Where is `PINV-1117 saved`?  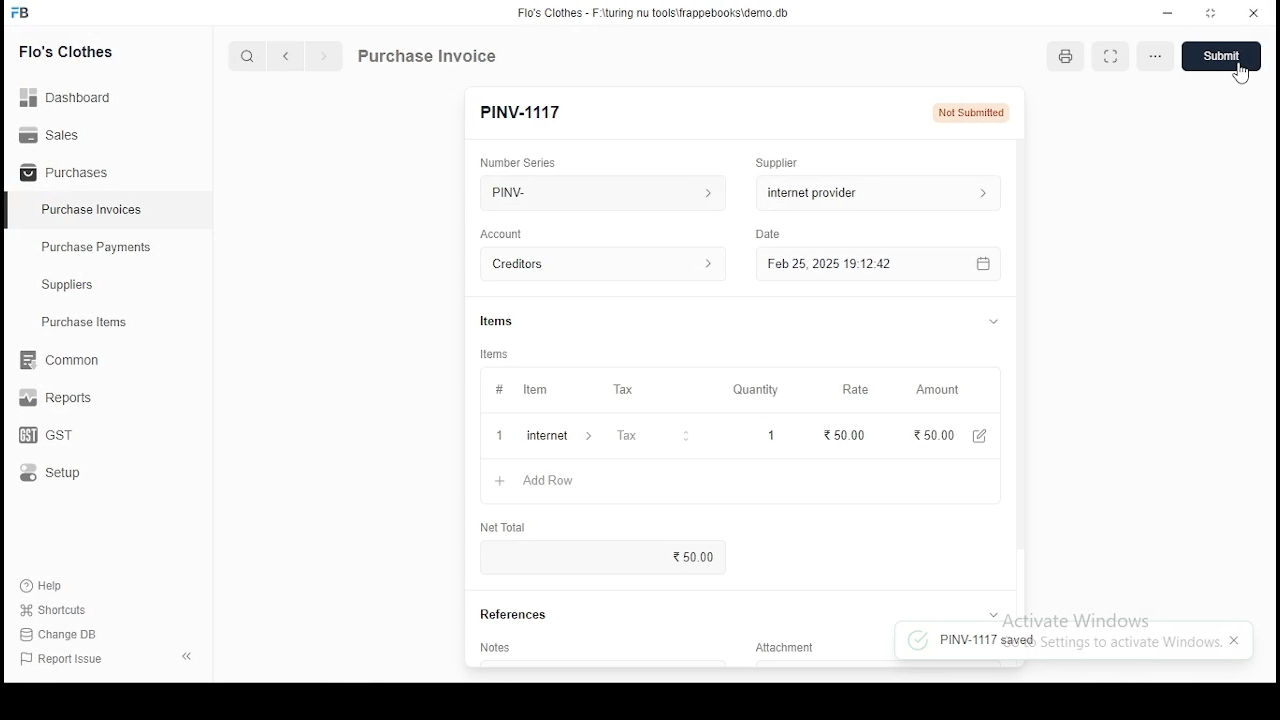 PINV-1117 saved is located at coordinates (970, 641).